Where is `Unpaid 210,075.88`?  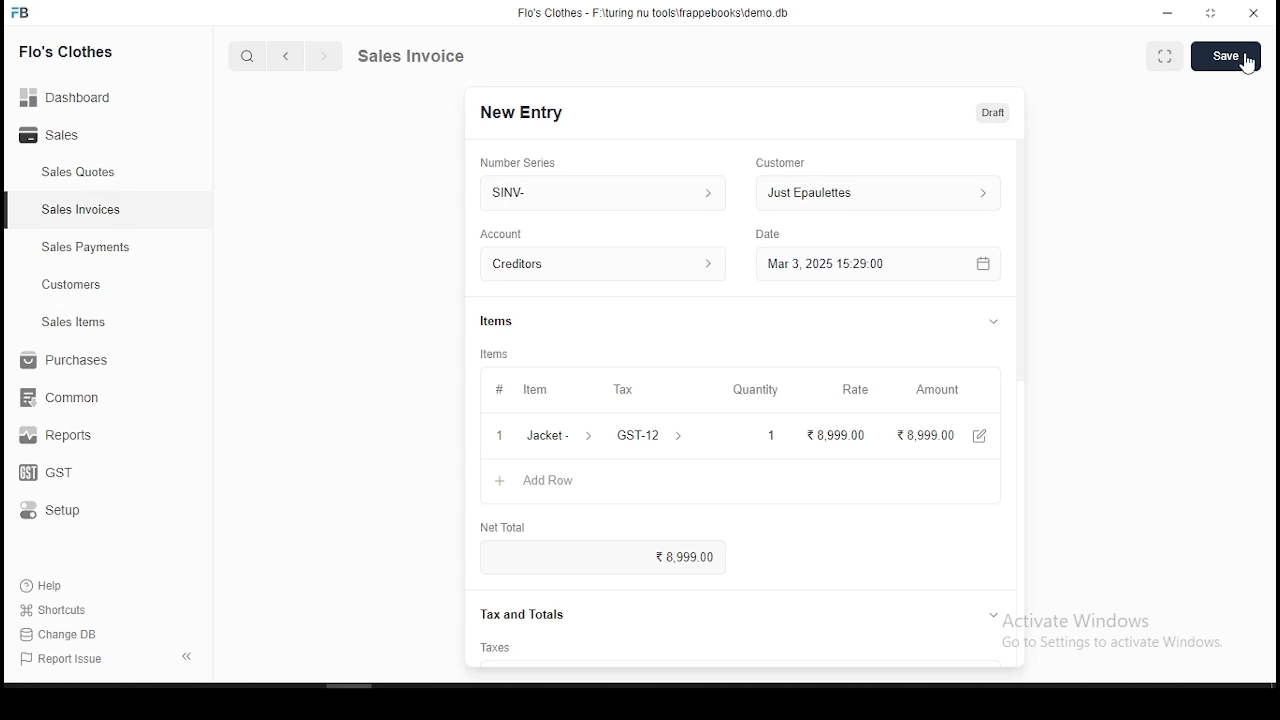
Unpaid 210,075.88 is located at coordinates (964, 112).